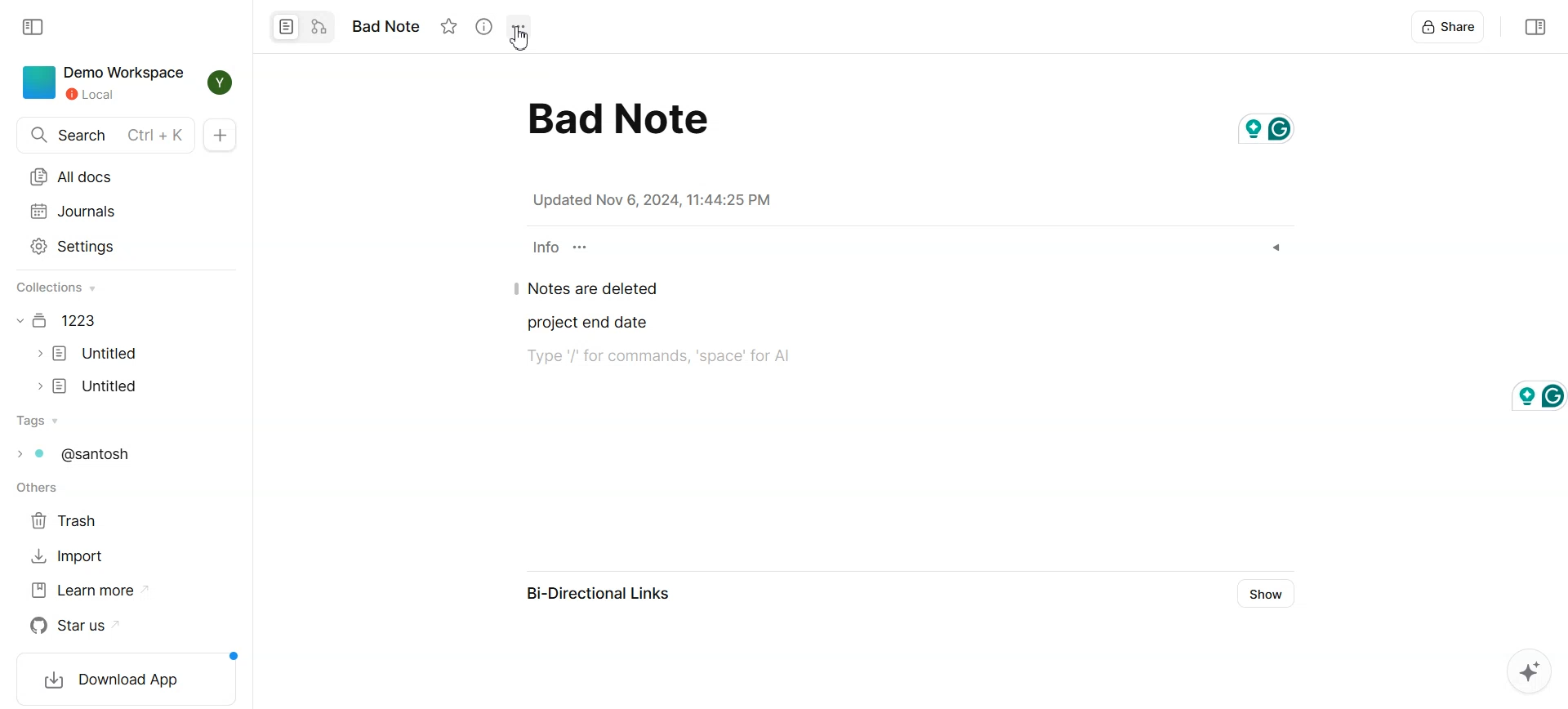  I want to click on note details, so click(647, 199).